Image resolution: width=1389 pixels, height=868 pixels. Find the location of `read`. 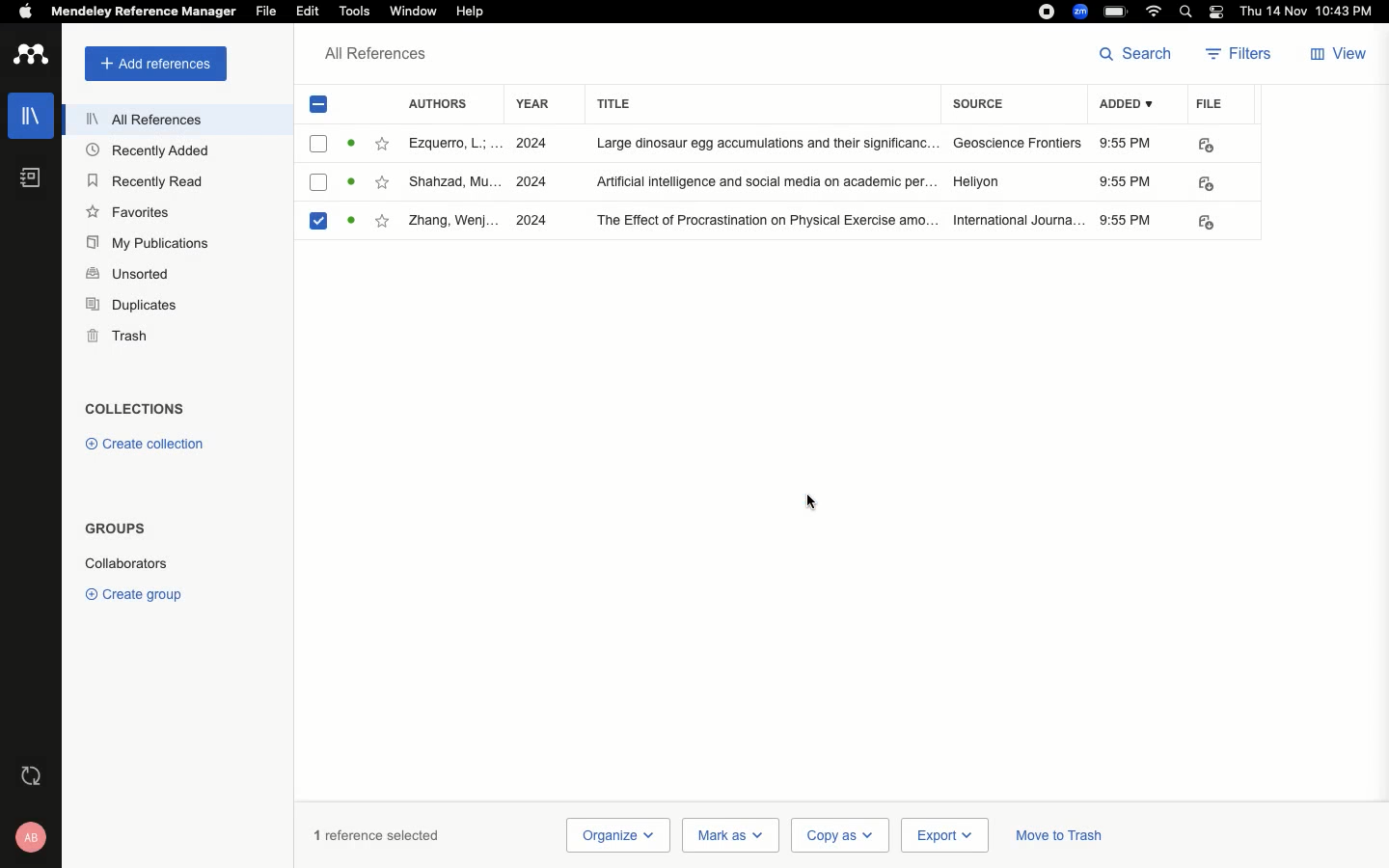

read is located at coordinates (354, 183).